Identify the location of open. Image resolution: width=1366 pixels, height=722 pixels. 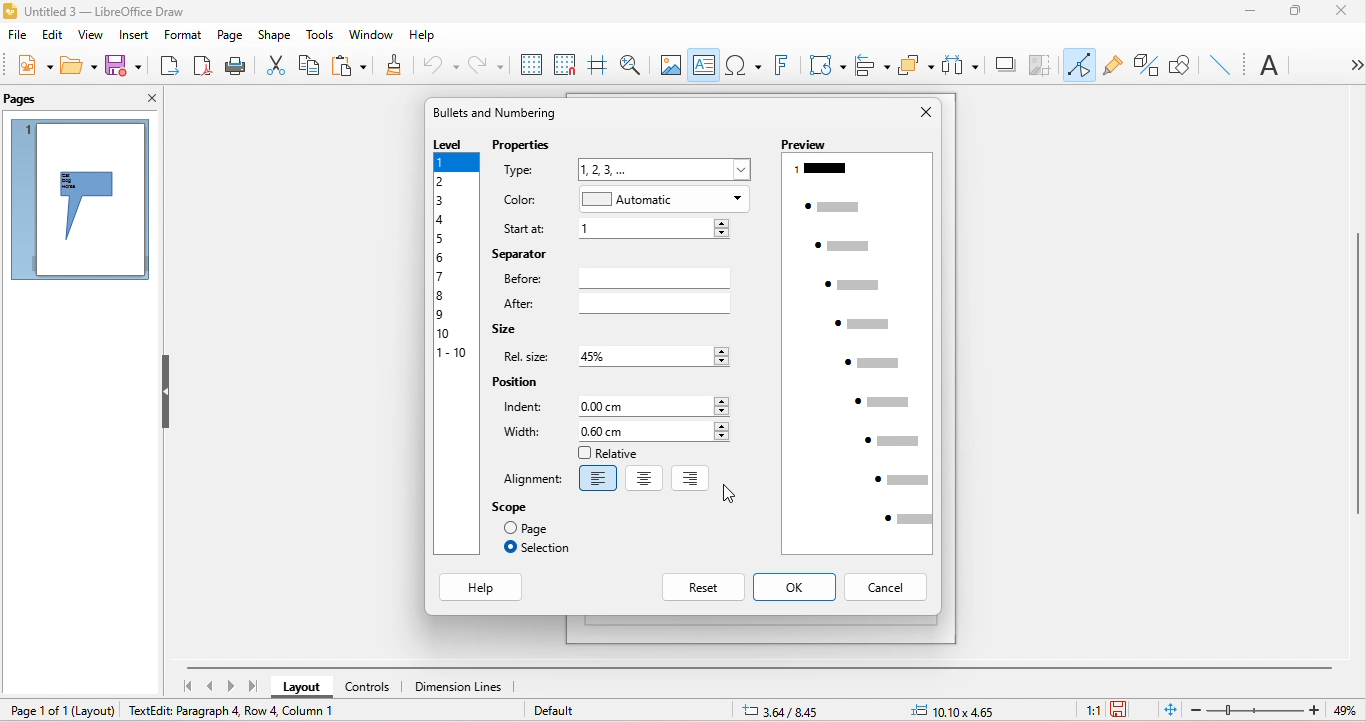
(77, 65).